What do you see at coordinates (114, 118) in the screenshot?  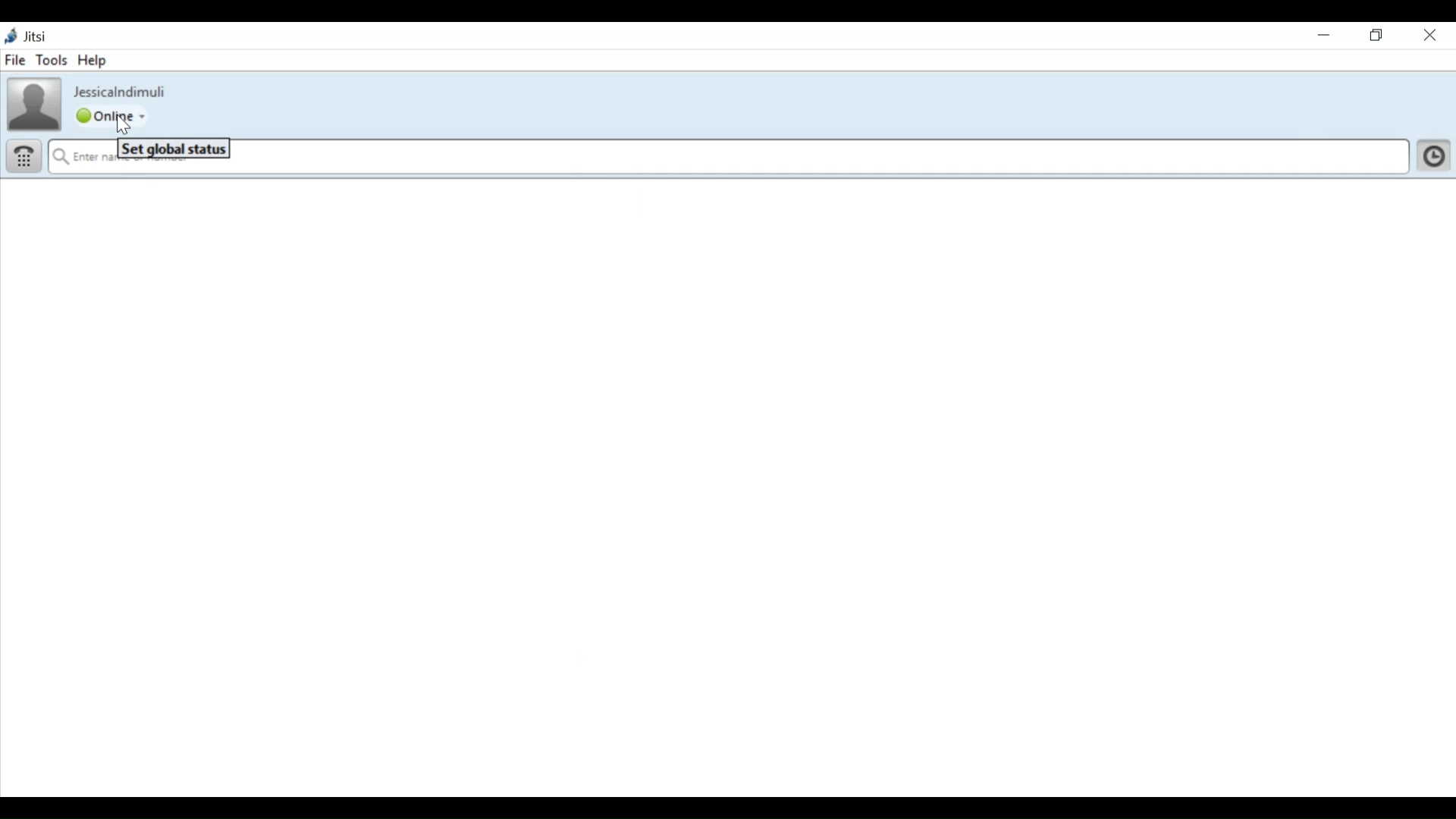 I see `online` at bounding box center [114, 118].